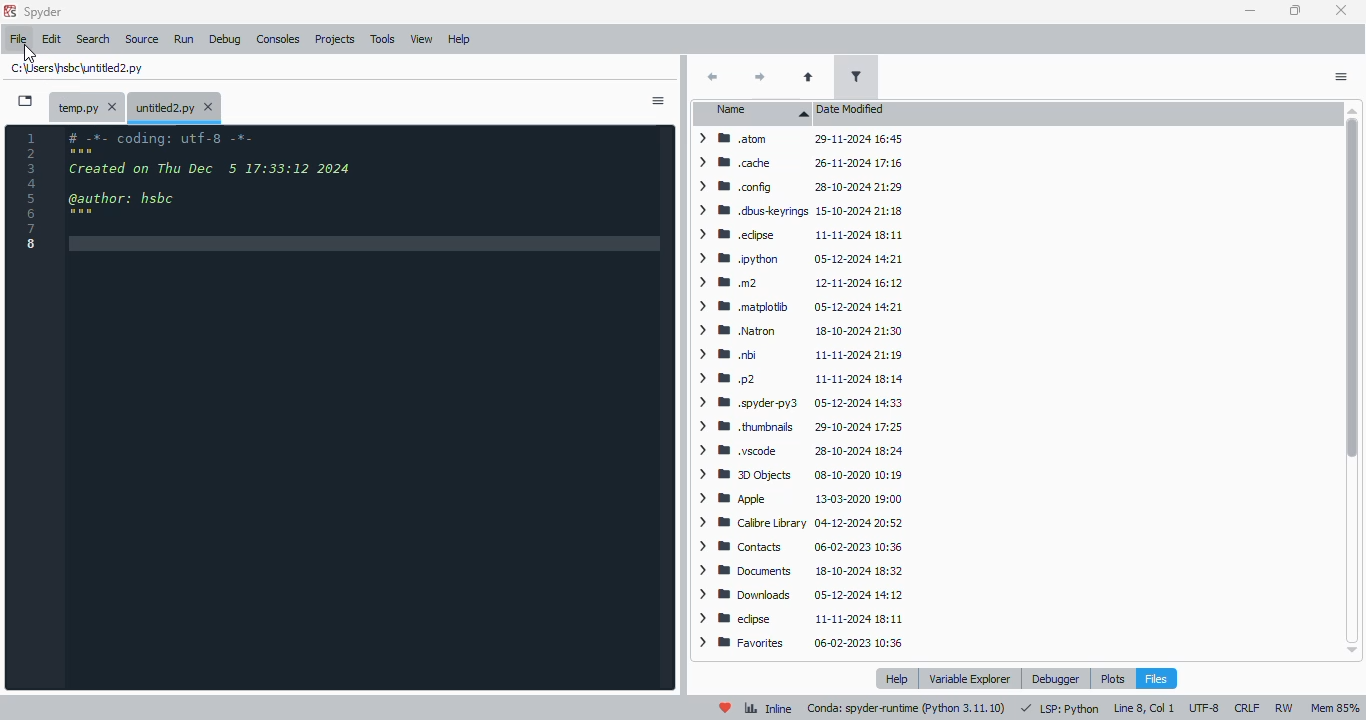 This screenshot has width=1366, height=720. What do you see at coordinates (1145, 708) in the screenshot?
I see `line 8, col 1` at bounding box center [1145, 708].